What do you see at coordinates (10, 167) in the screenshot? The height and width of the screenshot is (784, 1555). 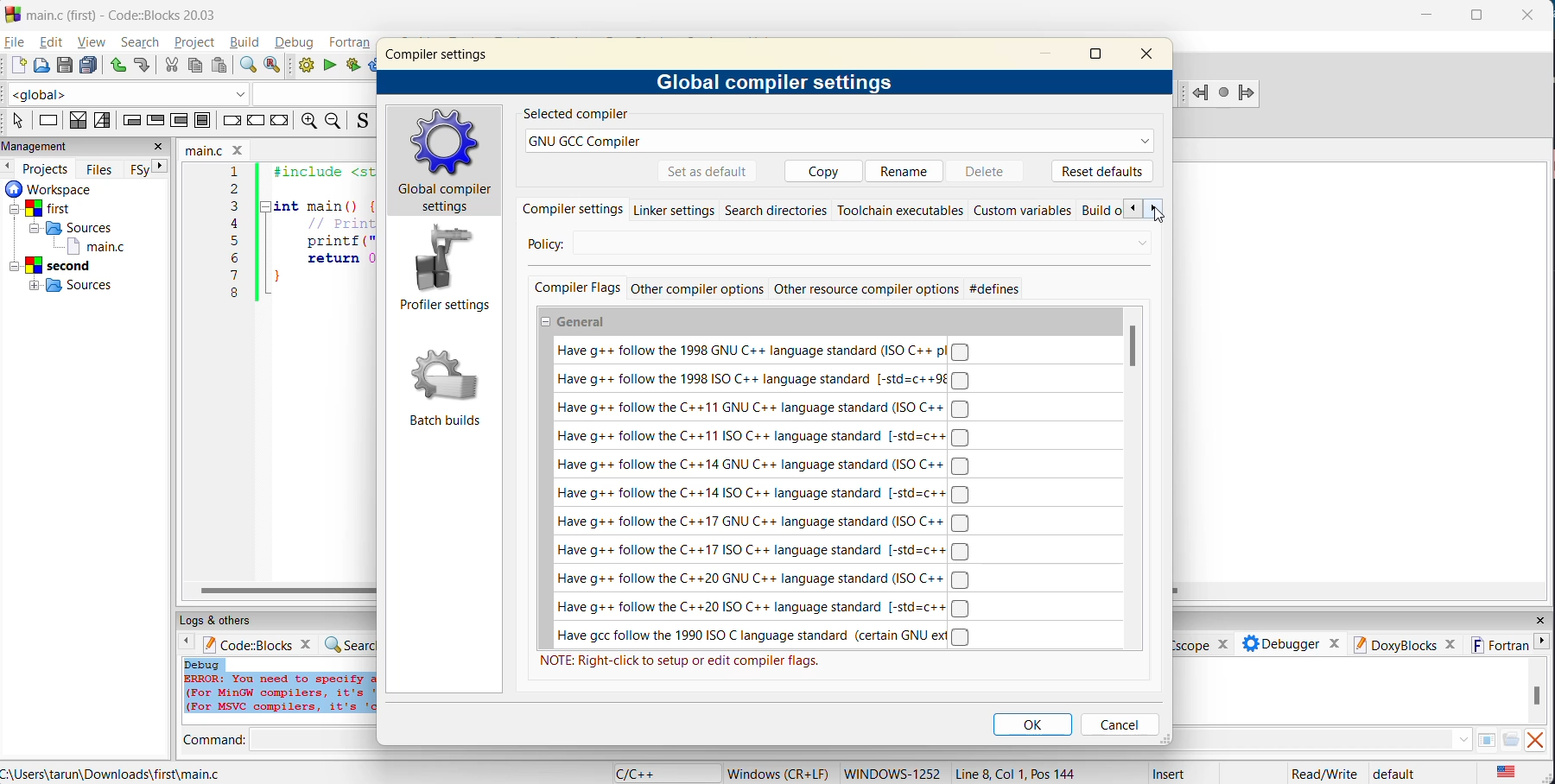 I see `previous` at bounding box center [10, 167].